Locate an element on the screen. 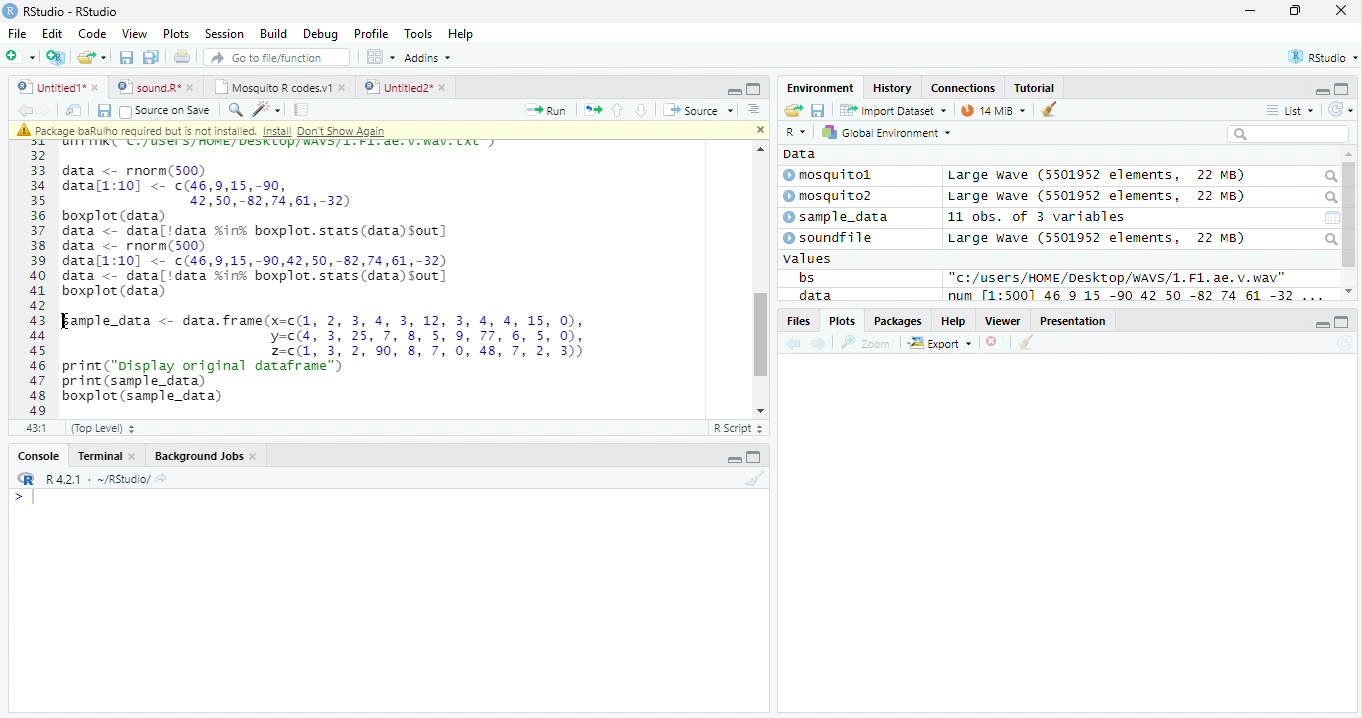  open an existing file is located at coordinates (92, 57).